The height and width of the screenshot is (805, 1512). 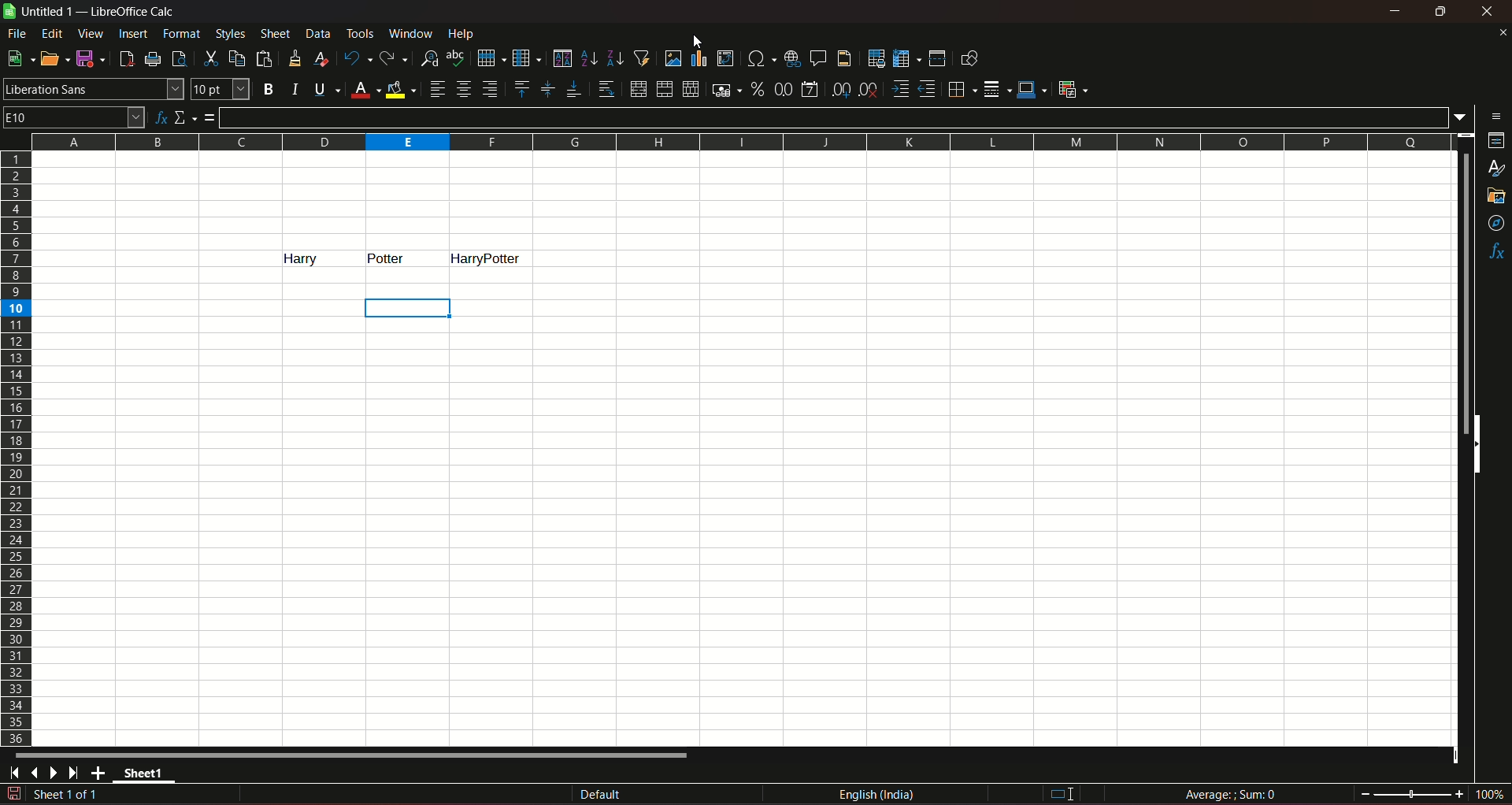 What do you see at coordinates (817, 57) in the screenshot?
I see `insert comment` at bounding box center [817, 57].